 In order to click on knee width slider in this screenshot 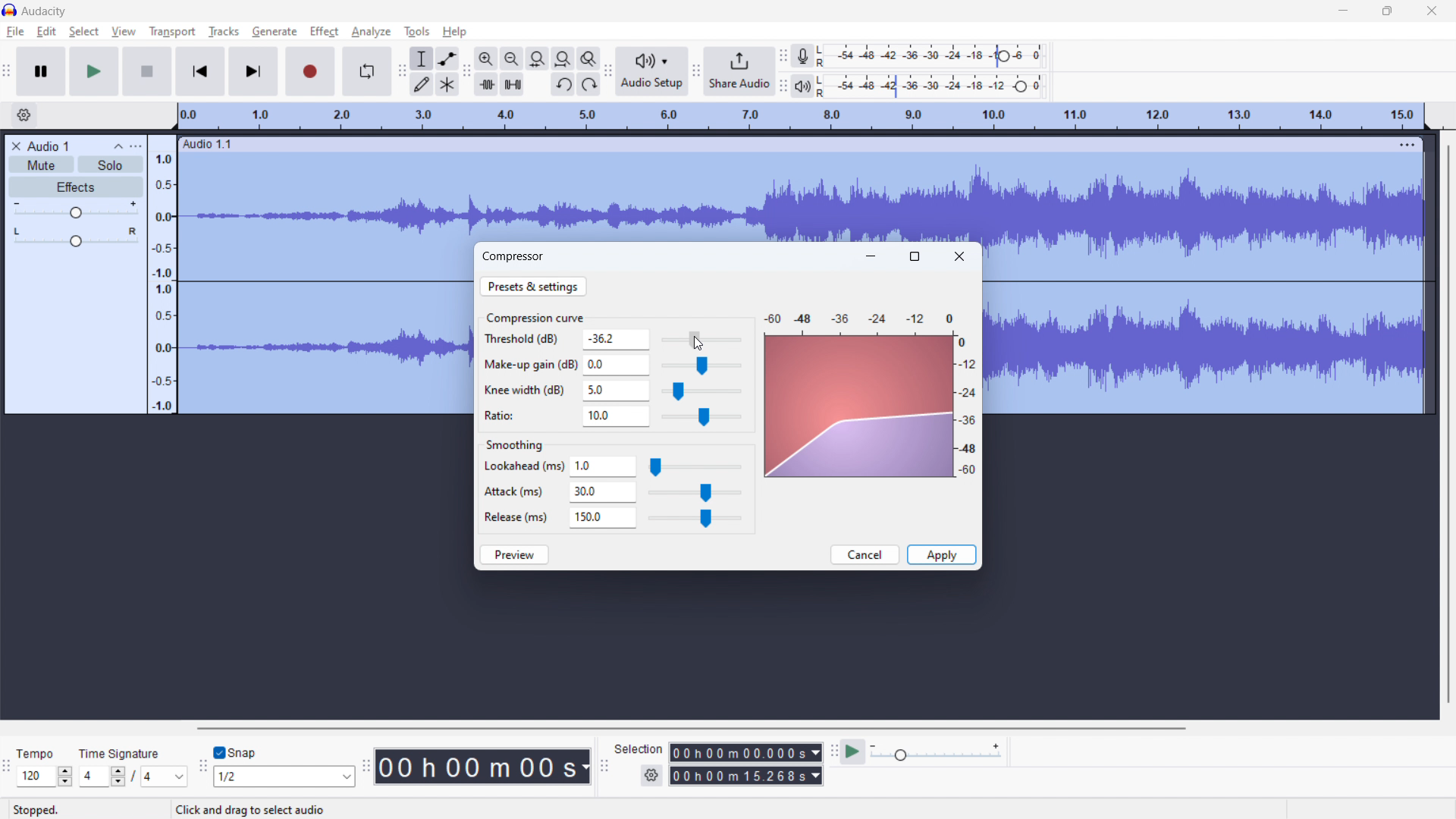, I will do `click(700, 392)`.